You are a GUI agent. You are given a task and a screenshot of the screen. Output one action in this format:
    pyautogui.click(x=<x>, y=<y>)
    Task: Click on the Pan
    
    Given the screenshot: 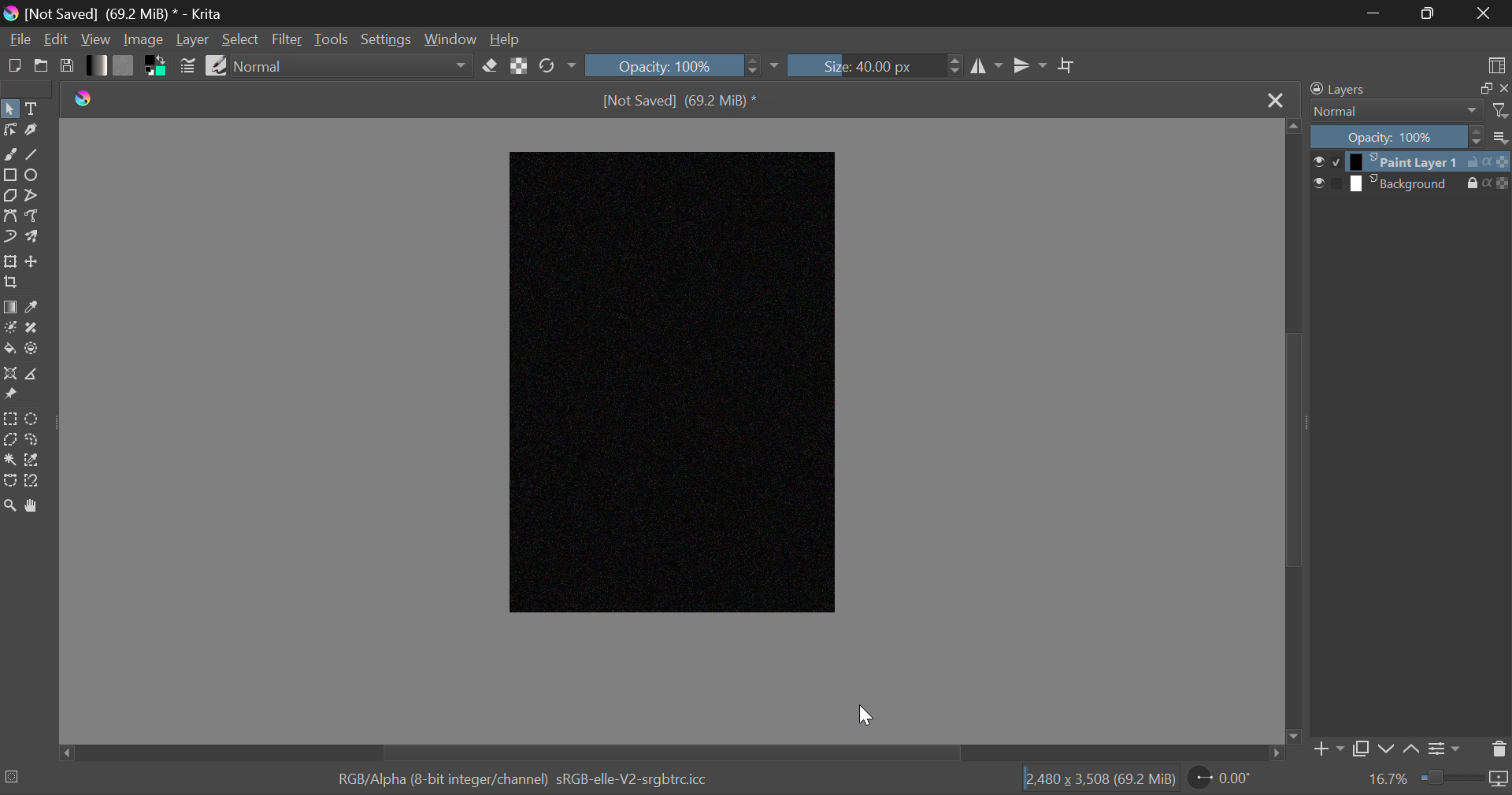 What is the action you would take?
    pyautogui.click(x=36, y=506)
    